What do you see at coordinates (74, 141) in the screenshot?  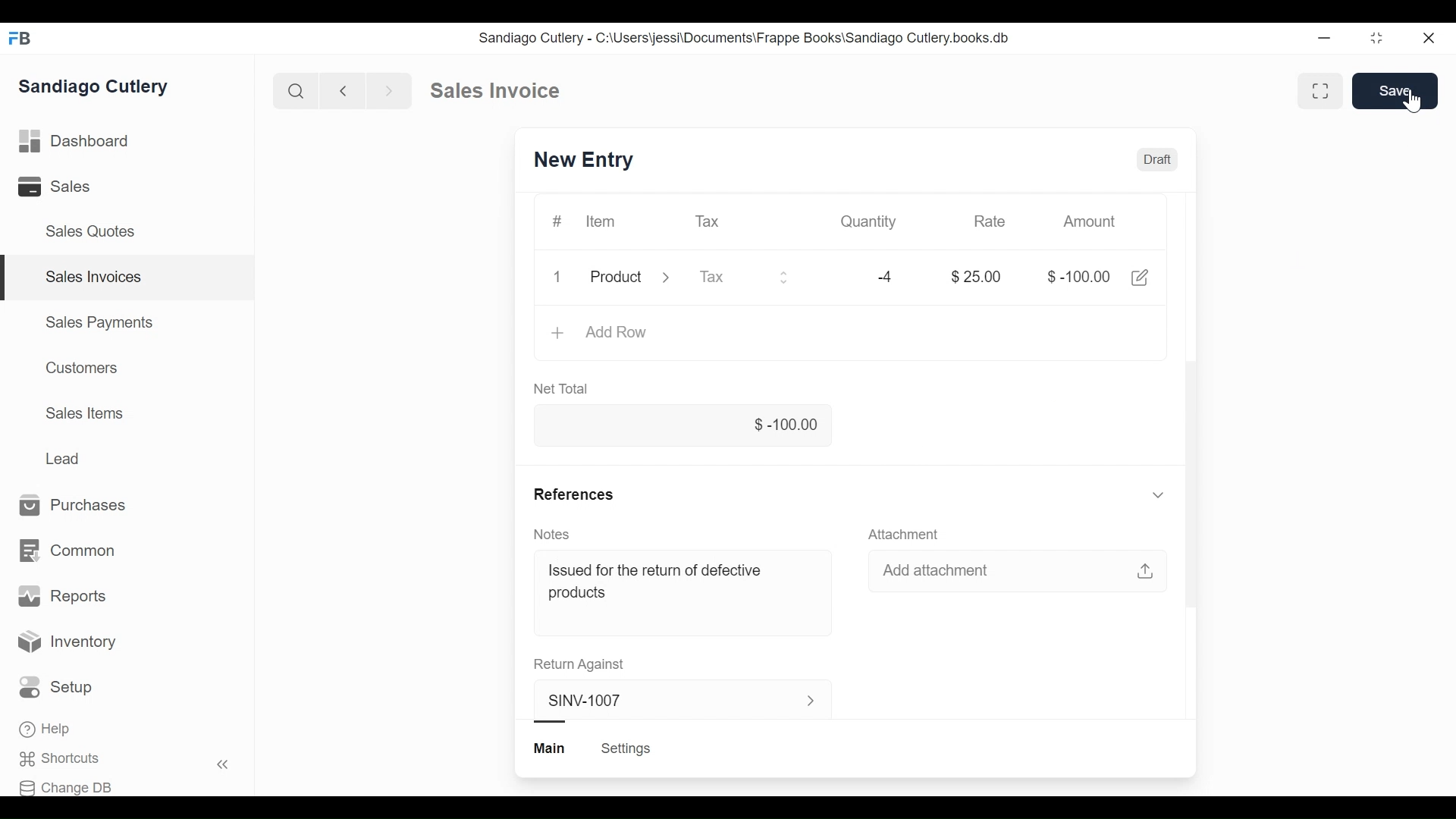 I see `Dashboard` at bounding box center [74, 141].